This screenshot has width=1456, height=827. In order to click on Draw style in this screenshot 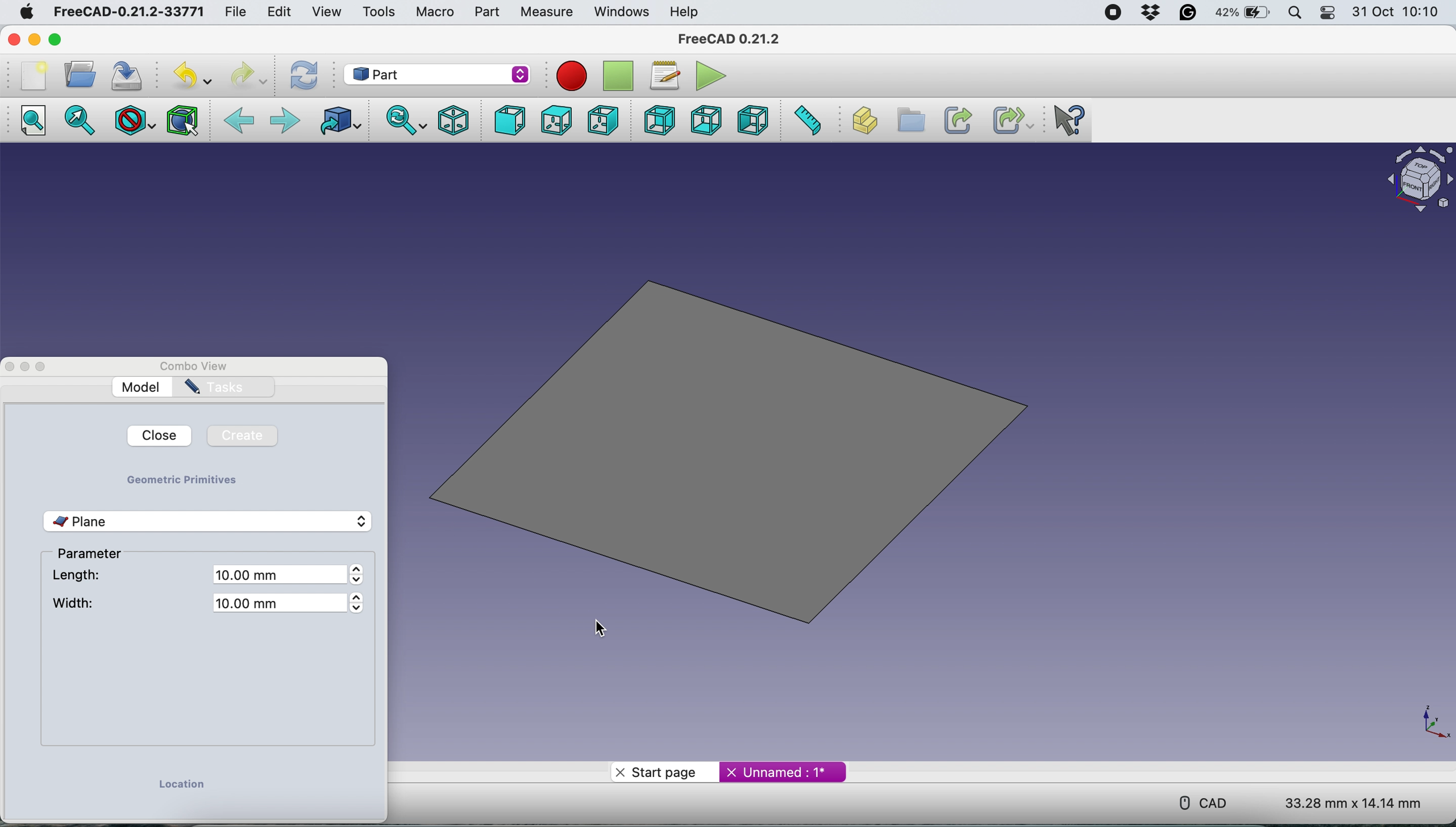, I will do `click(132, 120)`.